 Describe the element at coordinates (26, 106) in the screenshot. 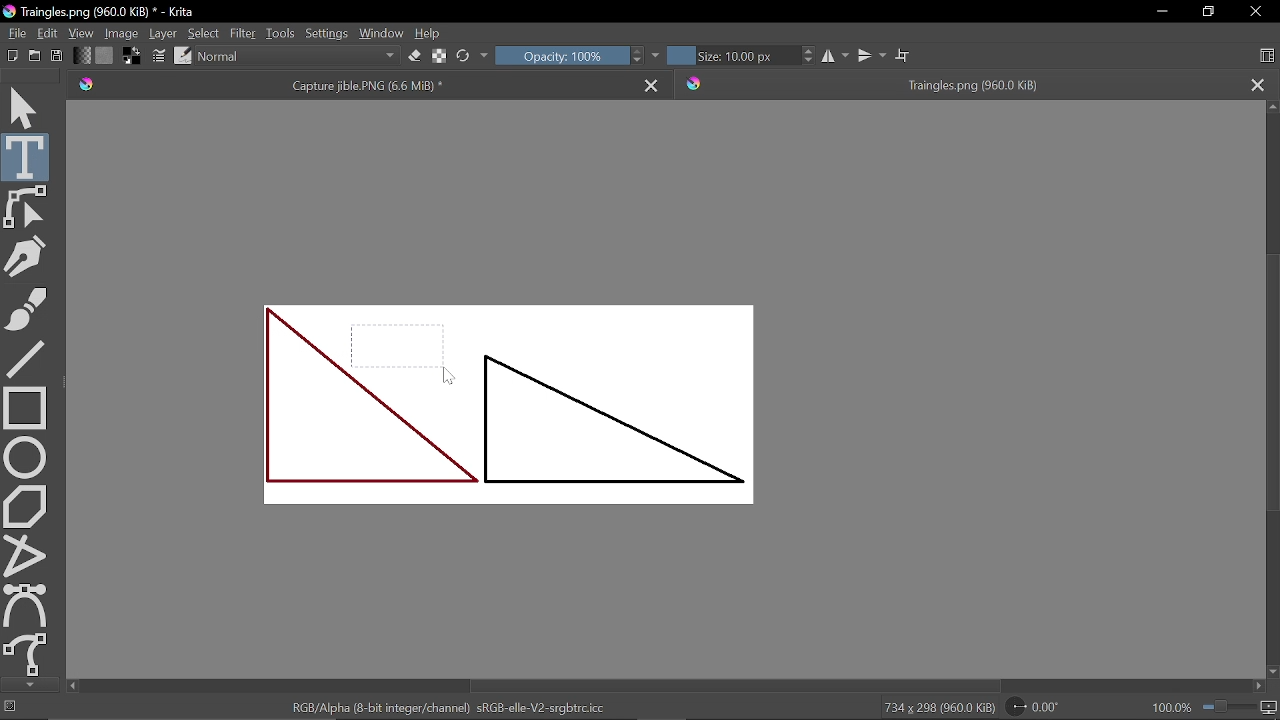

I see `Move tool` at that location.